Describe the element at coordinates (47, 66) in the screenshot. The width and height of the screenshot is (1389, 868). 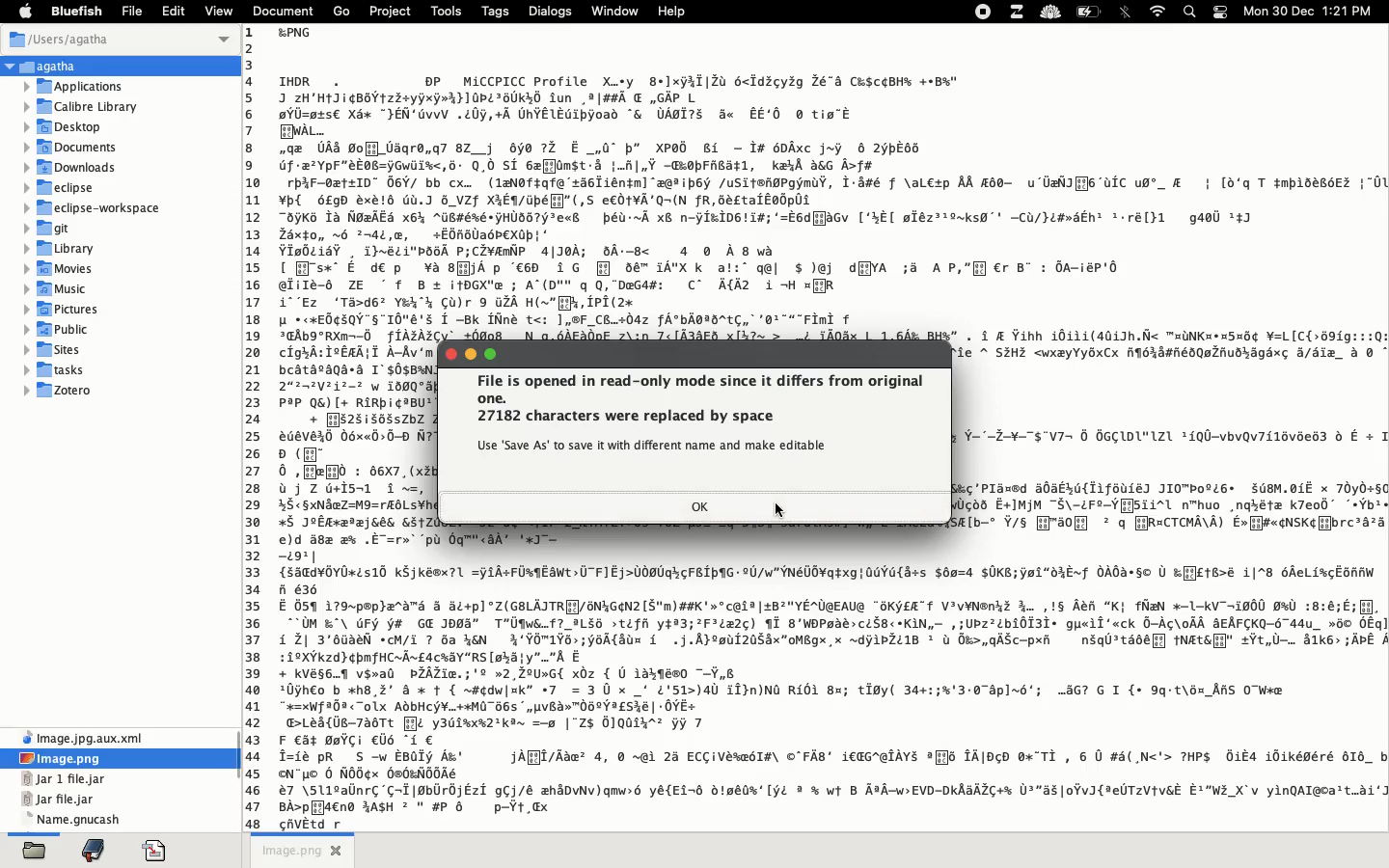
I see `Agatha` at that location.